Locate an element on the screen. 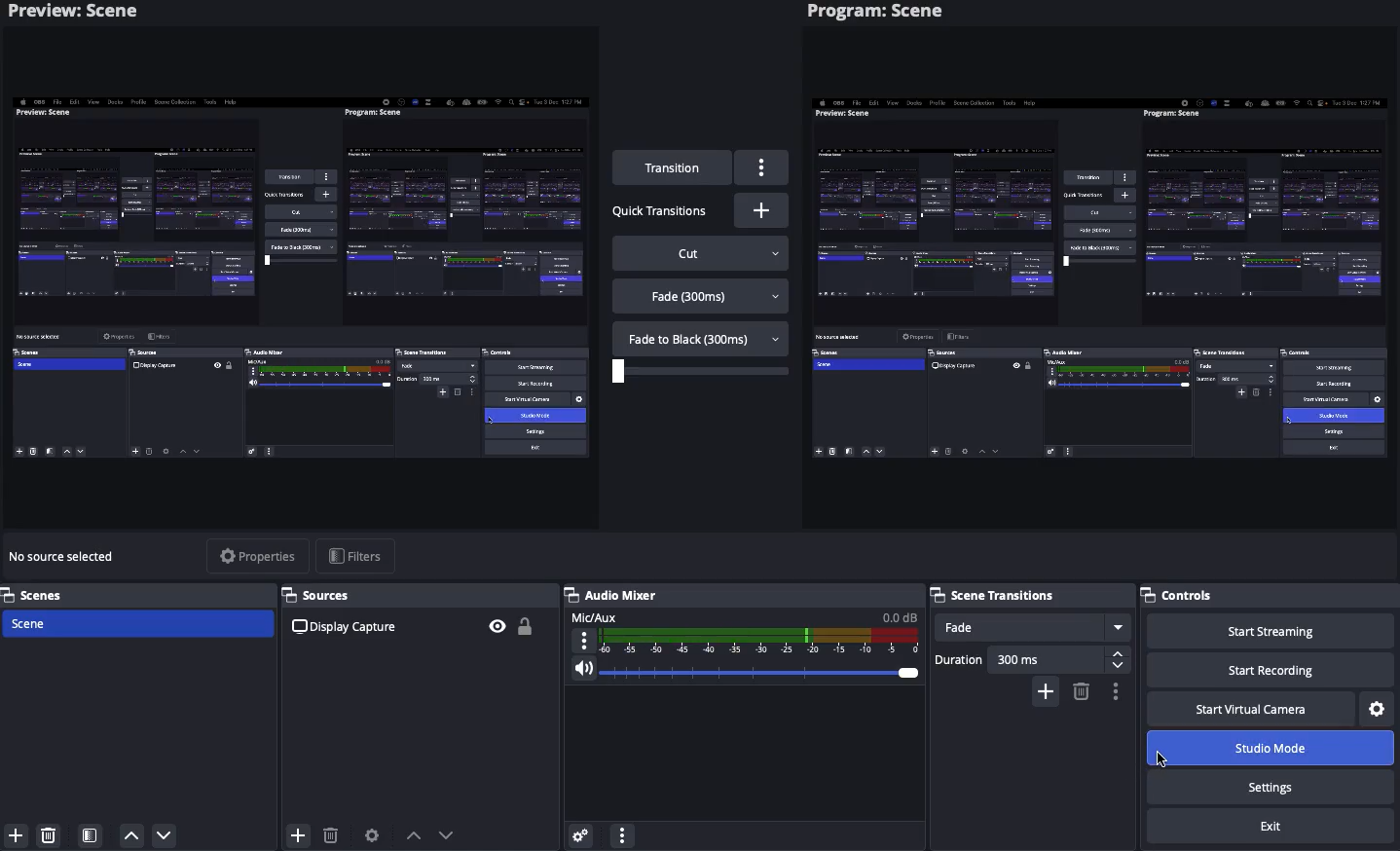 This screenshot has height=851, width=1400. add is located at coordinates (14, 836).